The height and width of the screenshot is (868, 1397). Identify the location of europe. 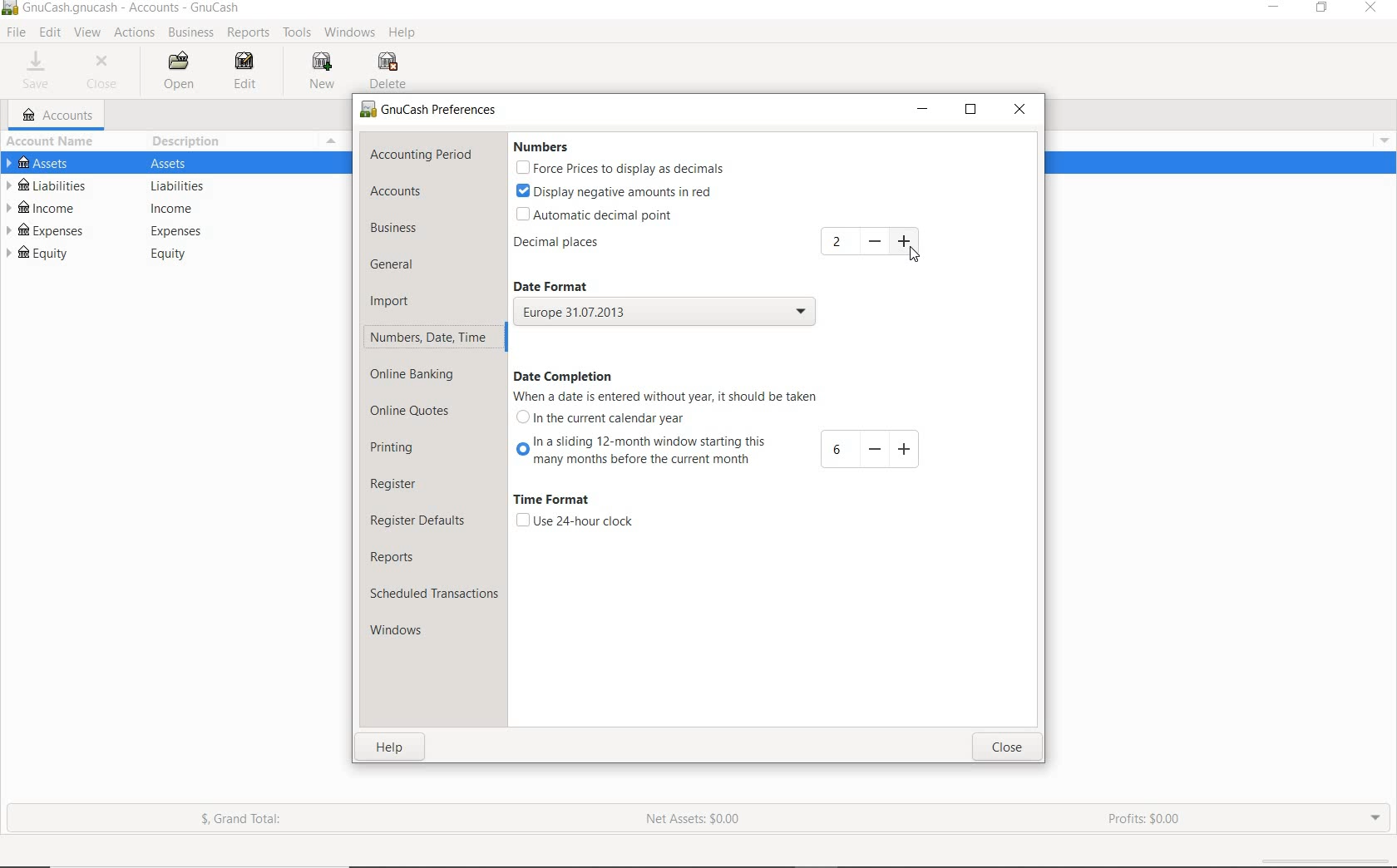
(664, 313).